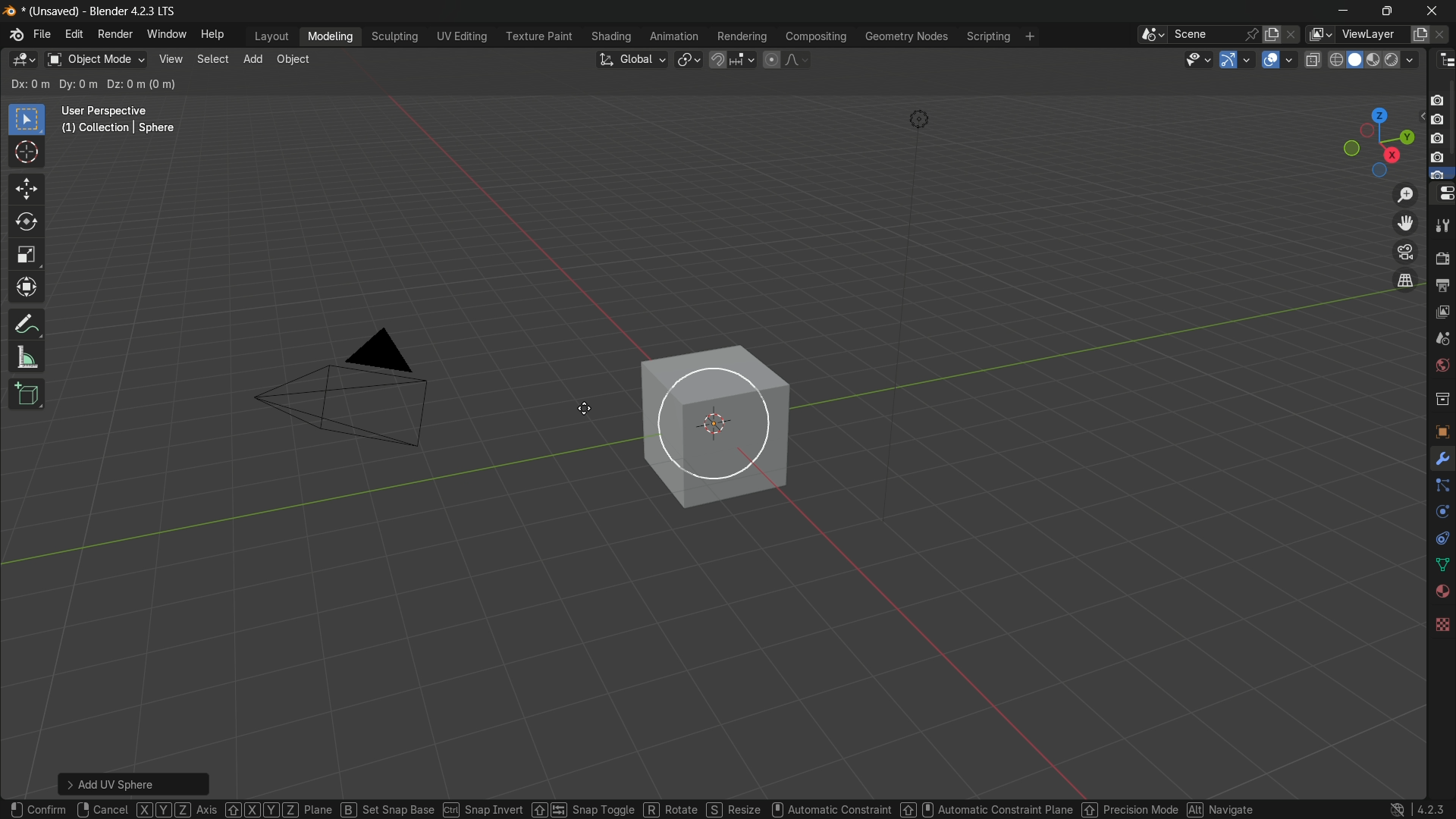  What do you see at coordinates (1250, 58) in the screenshot?
I see `gizmos` at bounding box center [1250, 58].